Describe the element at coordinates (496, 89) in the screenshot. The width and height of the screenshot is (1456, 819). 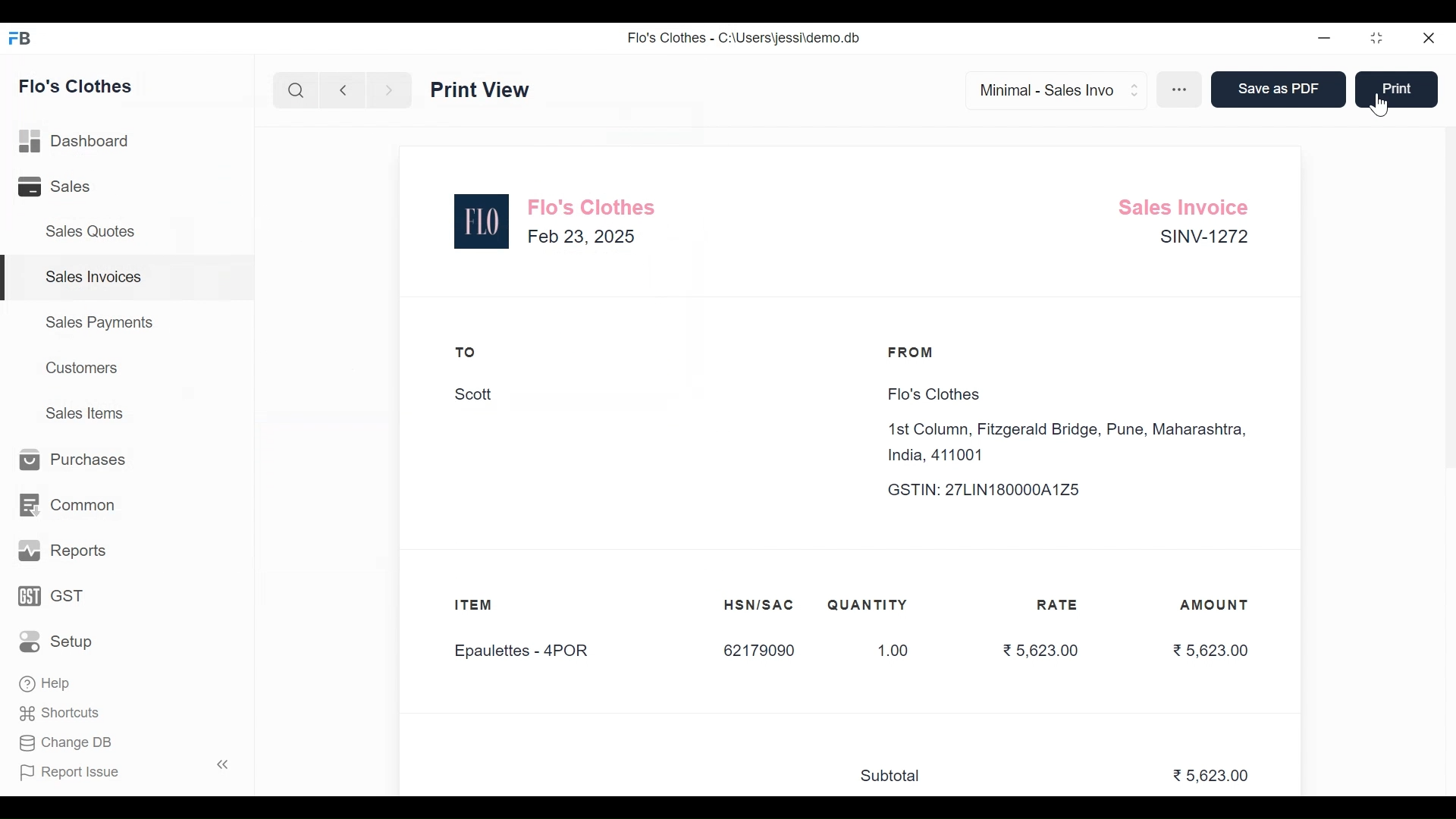
I see `Sales Invoice` at that location.